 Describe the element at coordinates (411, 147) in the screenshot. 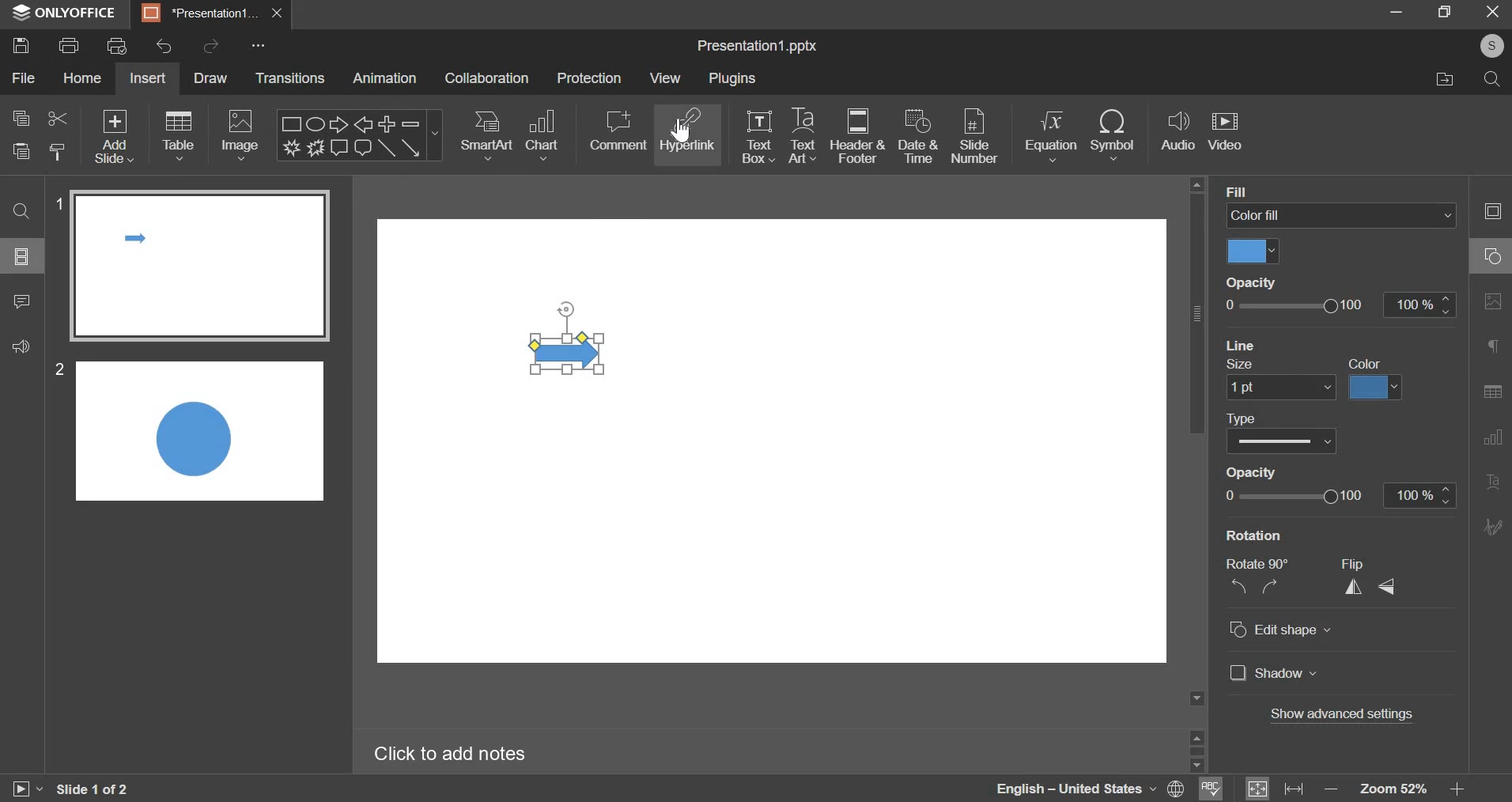

I see `Arrow` at that location.